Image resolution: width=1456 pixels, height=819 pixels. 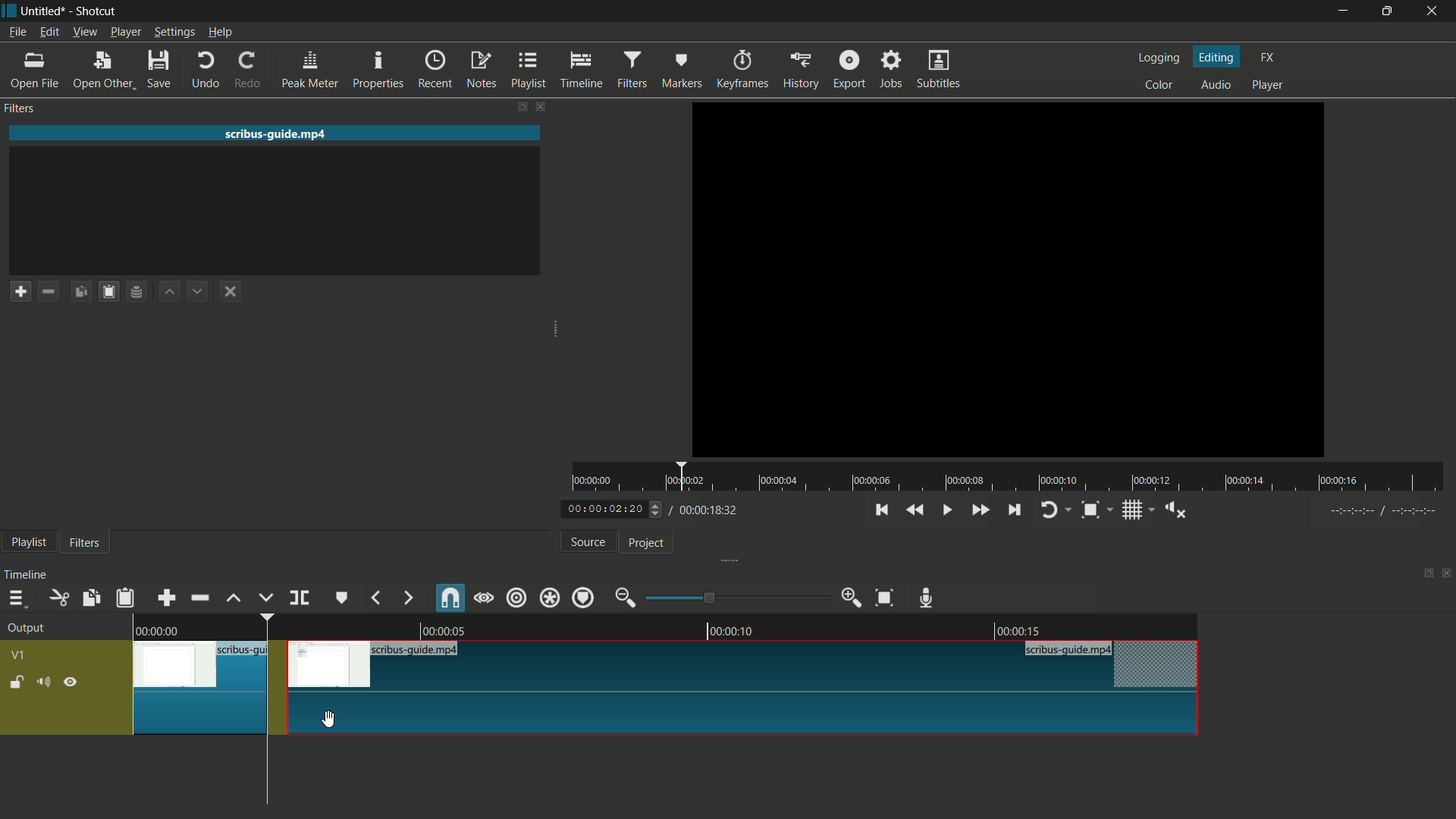 What do you see at coordinates (704, 510) in the screenshot?
I see `total time` at bounding box center [704, 510].